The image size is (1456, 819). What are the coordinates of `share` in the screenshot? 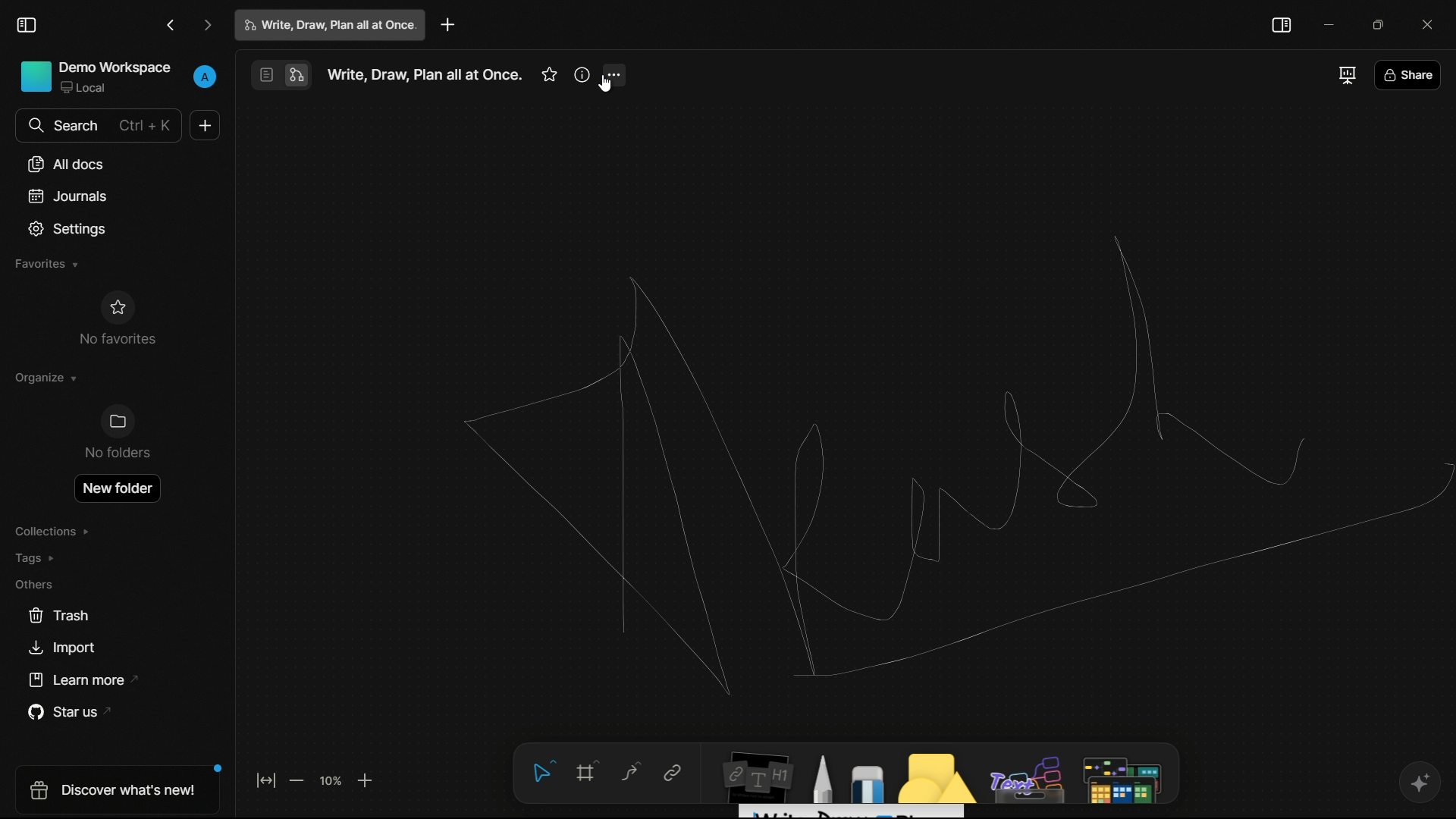 It's located at (1407, 76).